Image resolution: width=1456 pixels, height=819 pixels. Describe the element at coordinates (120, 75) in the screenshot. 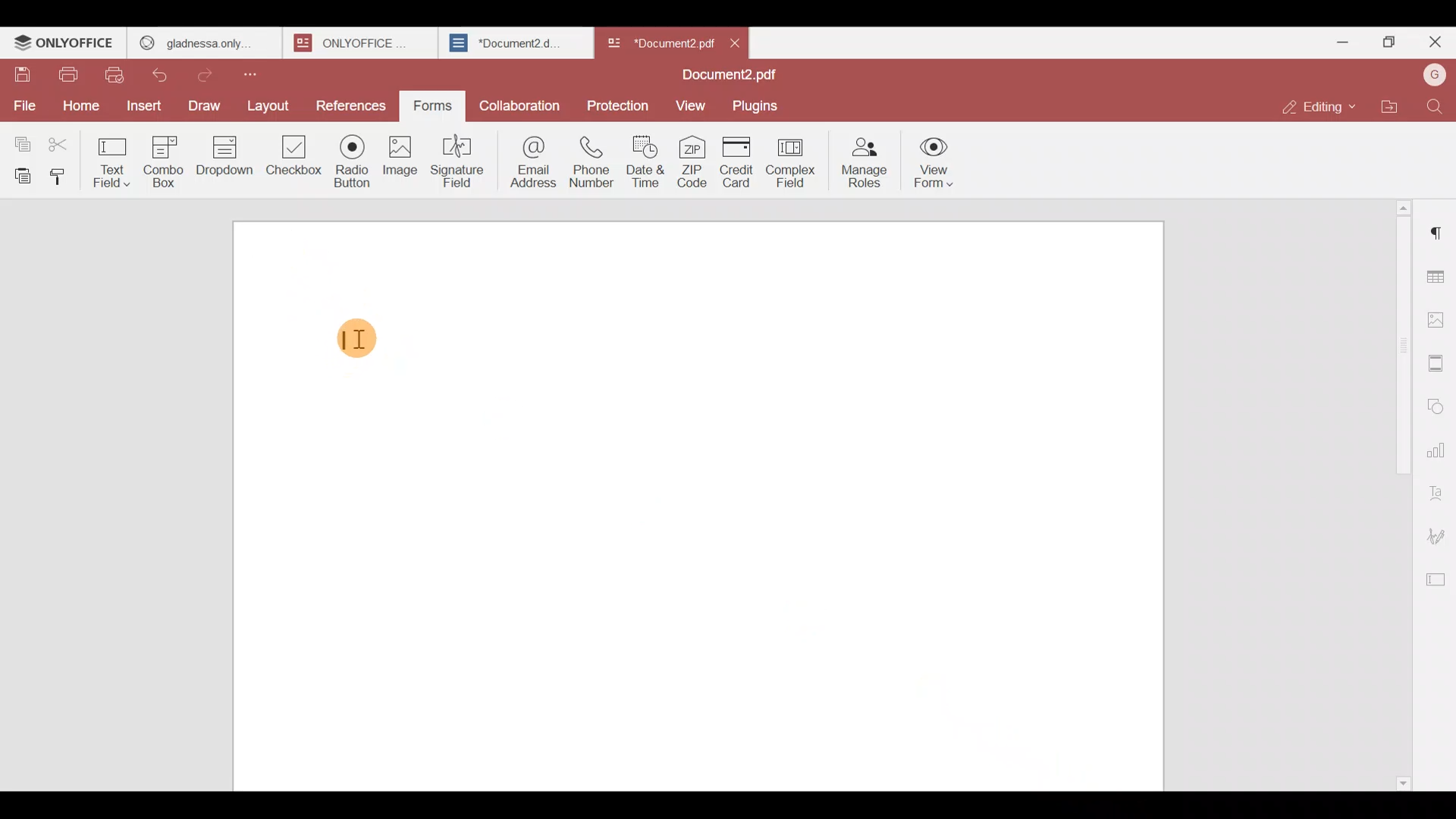

I see `Quick print` at that location.